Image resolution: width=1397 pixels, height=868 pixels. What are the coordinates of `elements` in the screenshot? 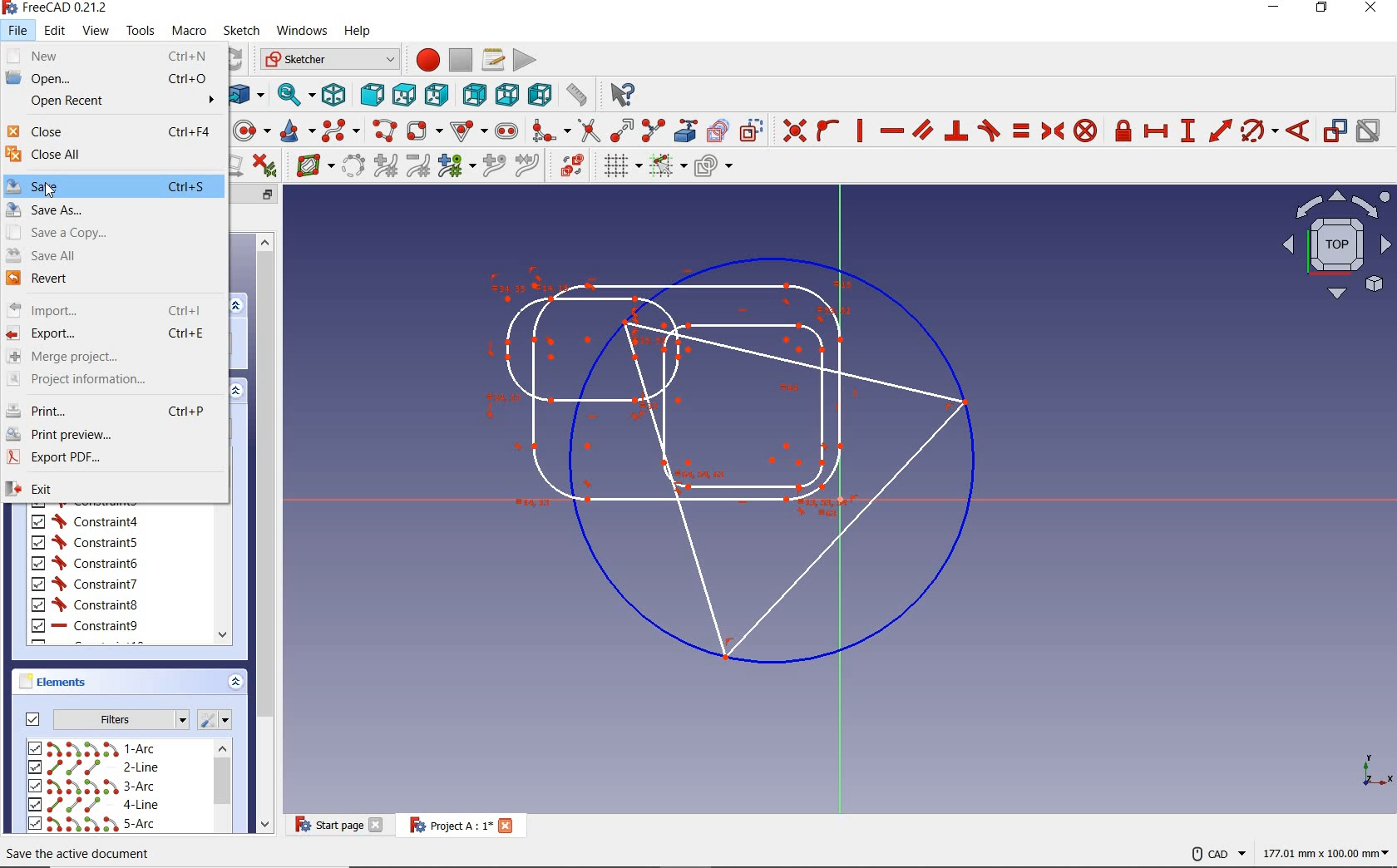 It's located at (58, 683).